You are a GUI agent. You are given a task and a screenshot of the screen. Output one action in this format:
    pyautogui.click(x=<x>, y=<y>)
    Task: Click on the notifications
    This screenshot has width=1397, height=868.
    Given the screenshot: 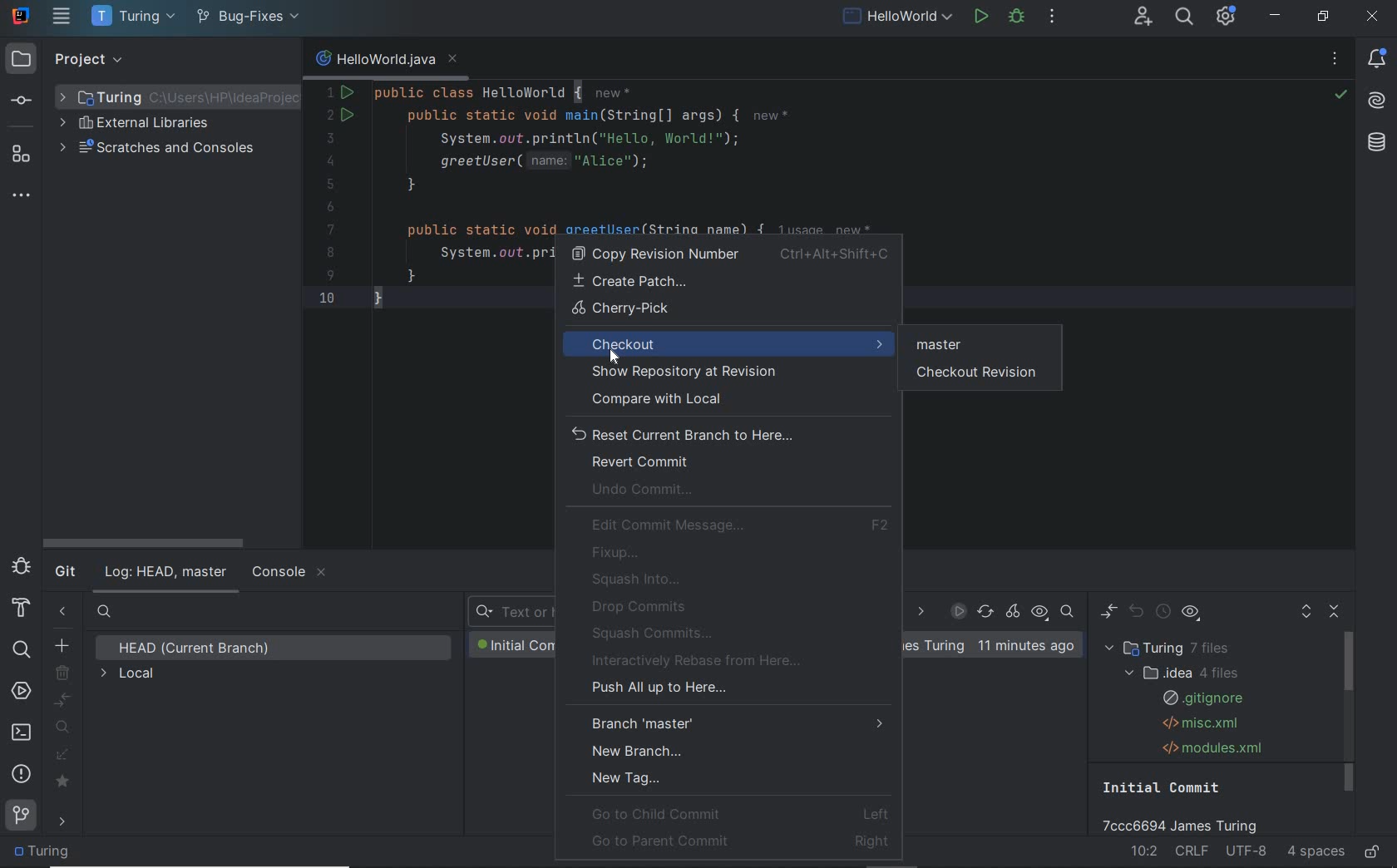 What is the action you would take?
    pyautogui.click(x=1378, y=60)
    